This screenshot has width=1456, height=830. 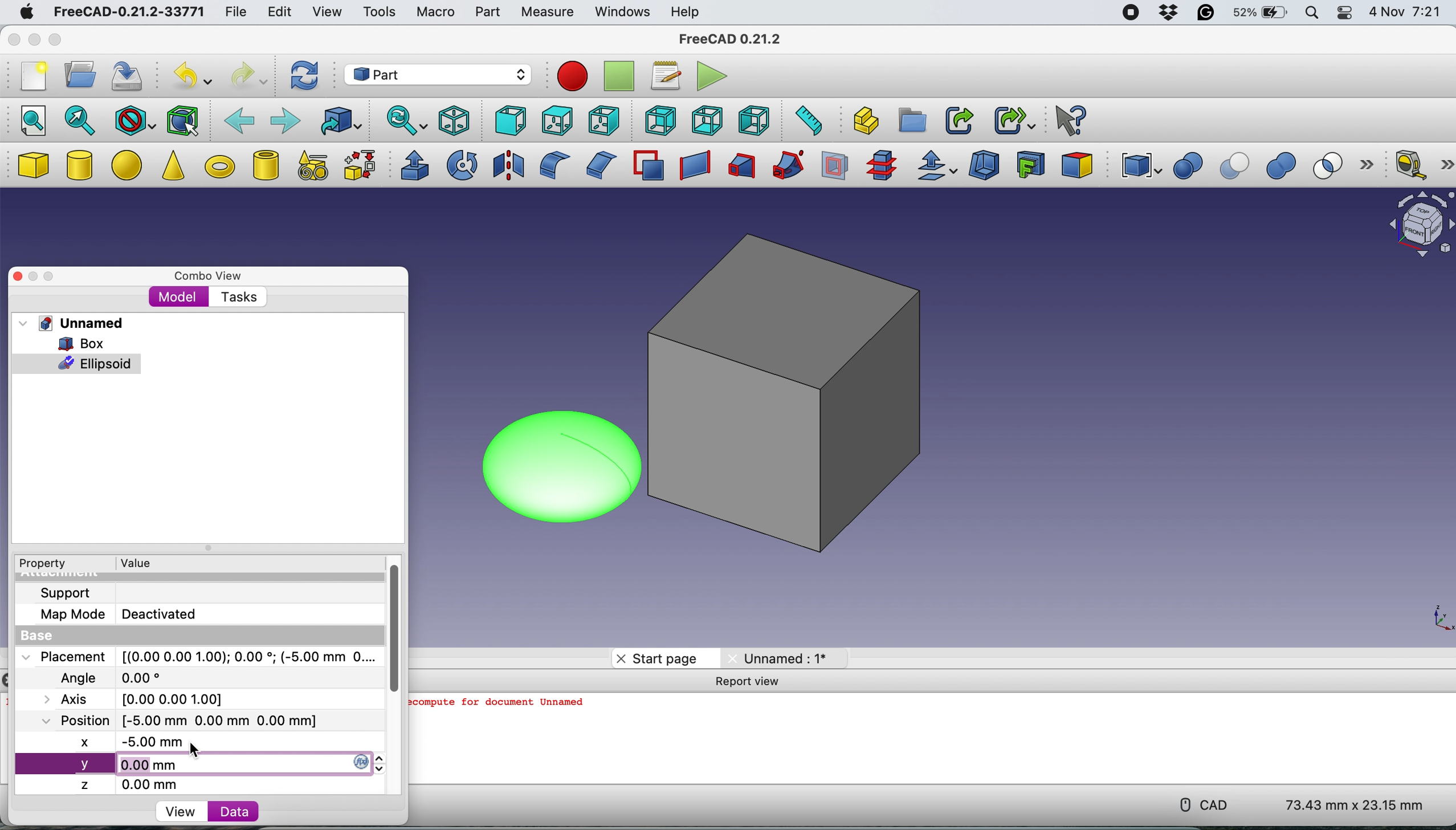 I want to click on Axis [0.00 0.00 1.00], so click(x=140, y=698).